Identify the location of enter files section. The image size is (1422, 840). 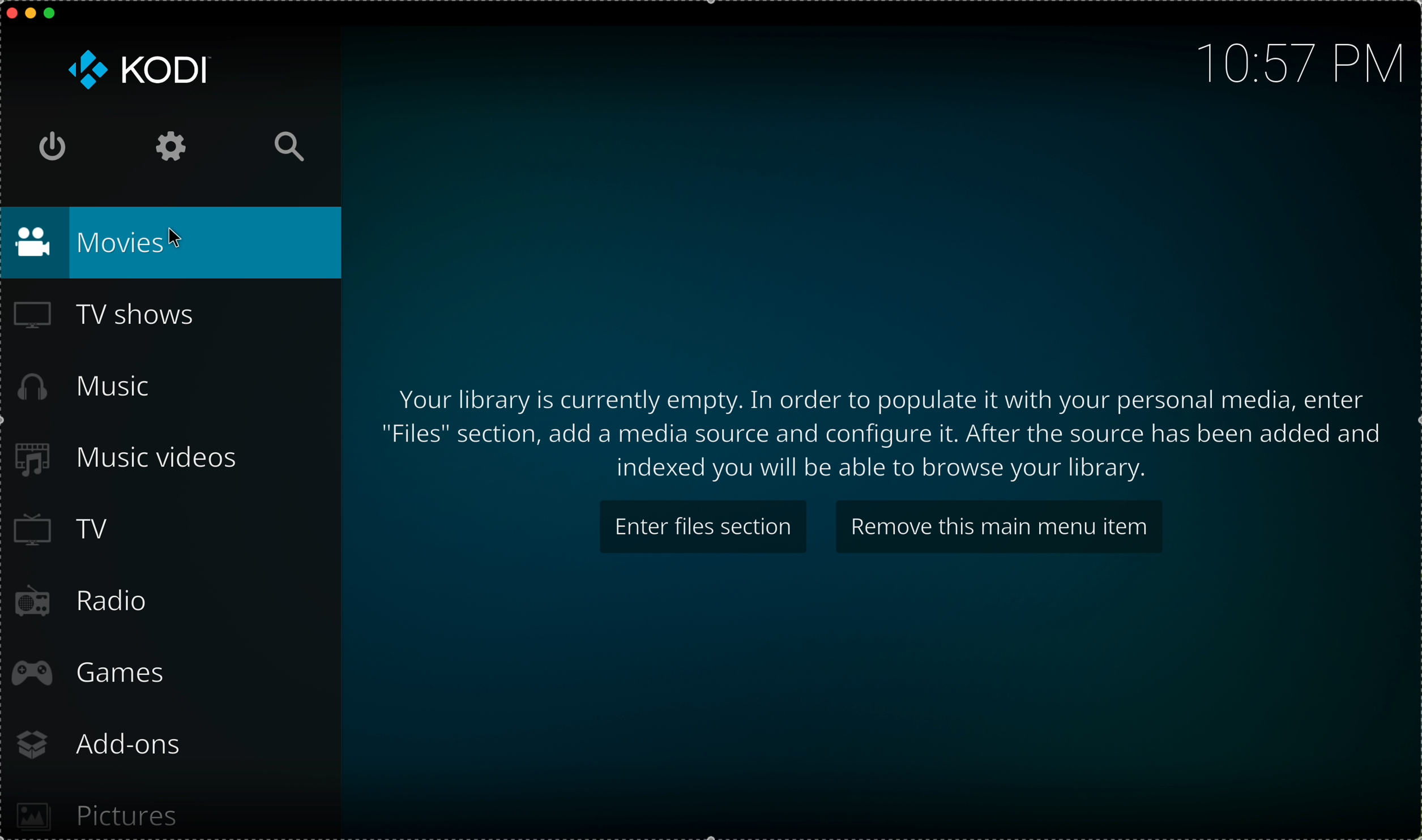
(704, 526).